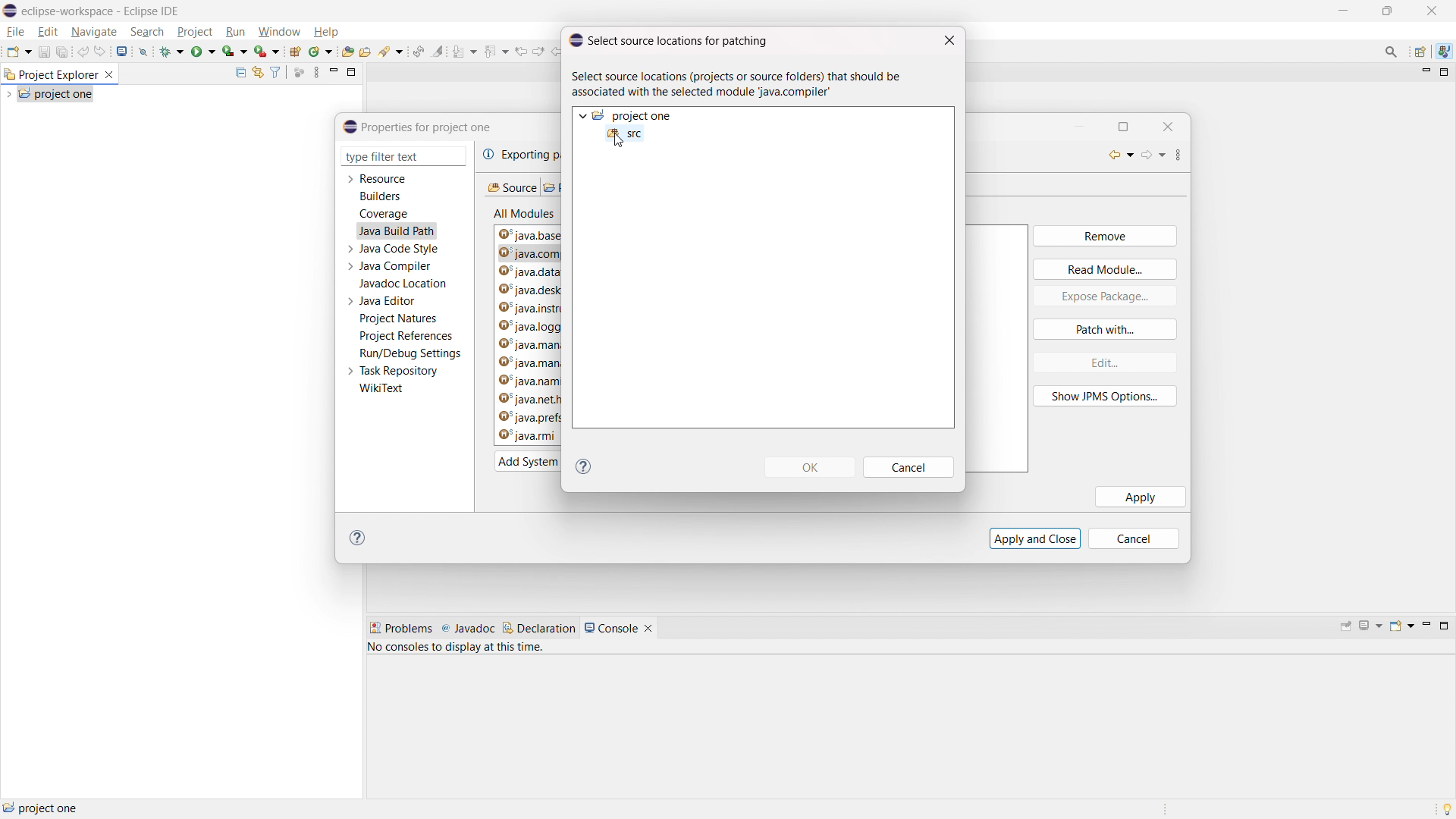 This screenshot has height=819, width=1456. What do you see at coordinates (1444, 52) in the screenshot?
I see `java` at bounding box center [1444, 52].